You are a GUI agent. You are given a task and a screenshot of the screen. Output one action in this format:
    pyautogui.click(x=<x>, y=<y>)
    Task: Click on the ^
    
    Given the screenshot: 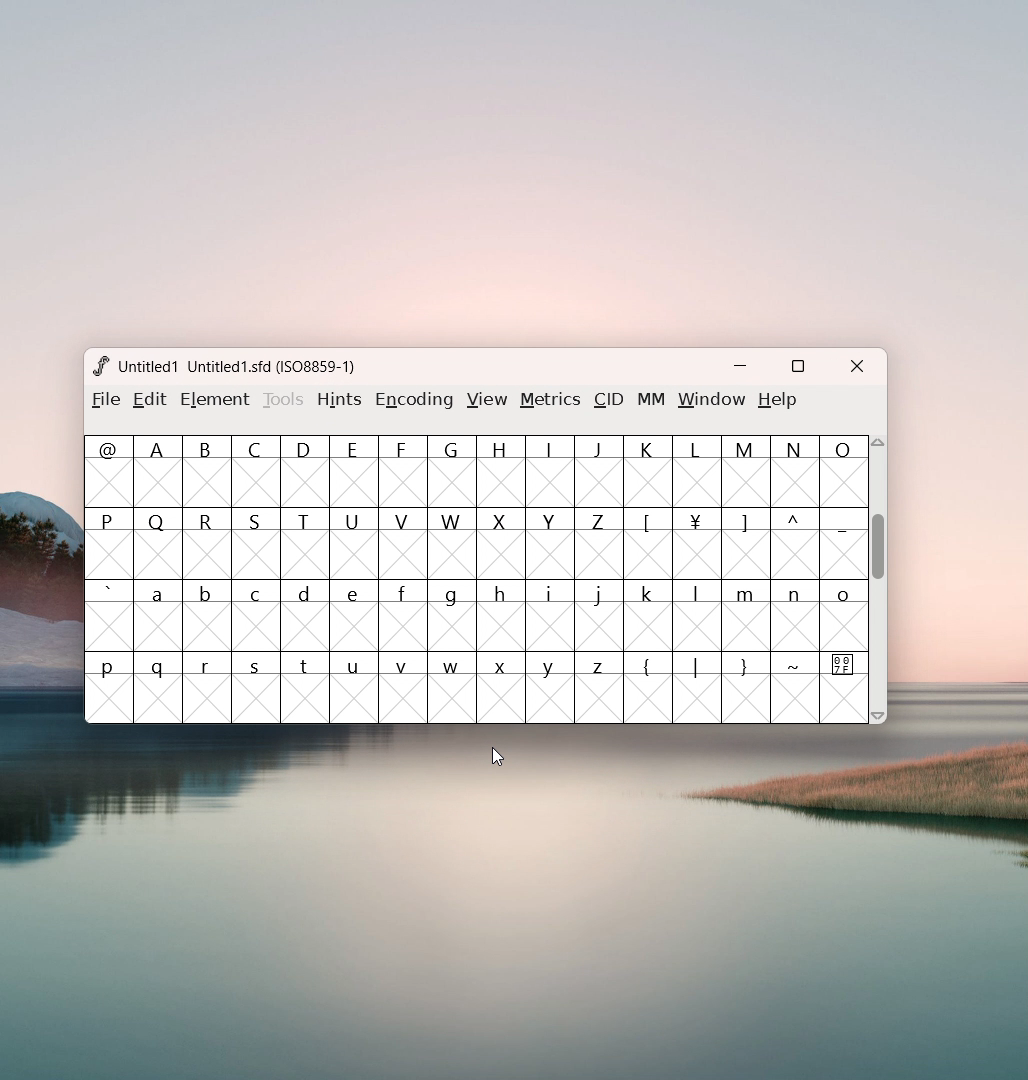 What is the action you would take?
    pyautogui.click(x=797, y=545)
    